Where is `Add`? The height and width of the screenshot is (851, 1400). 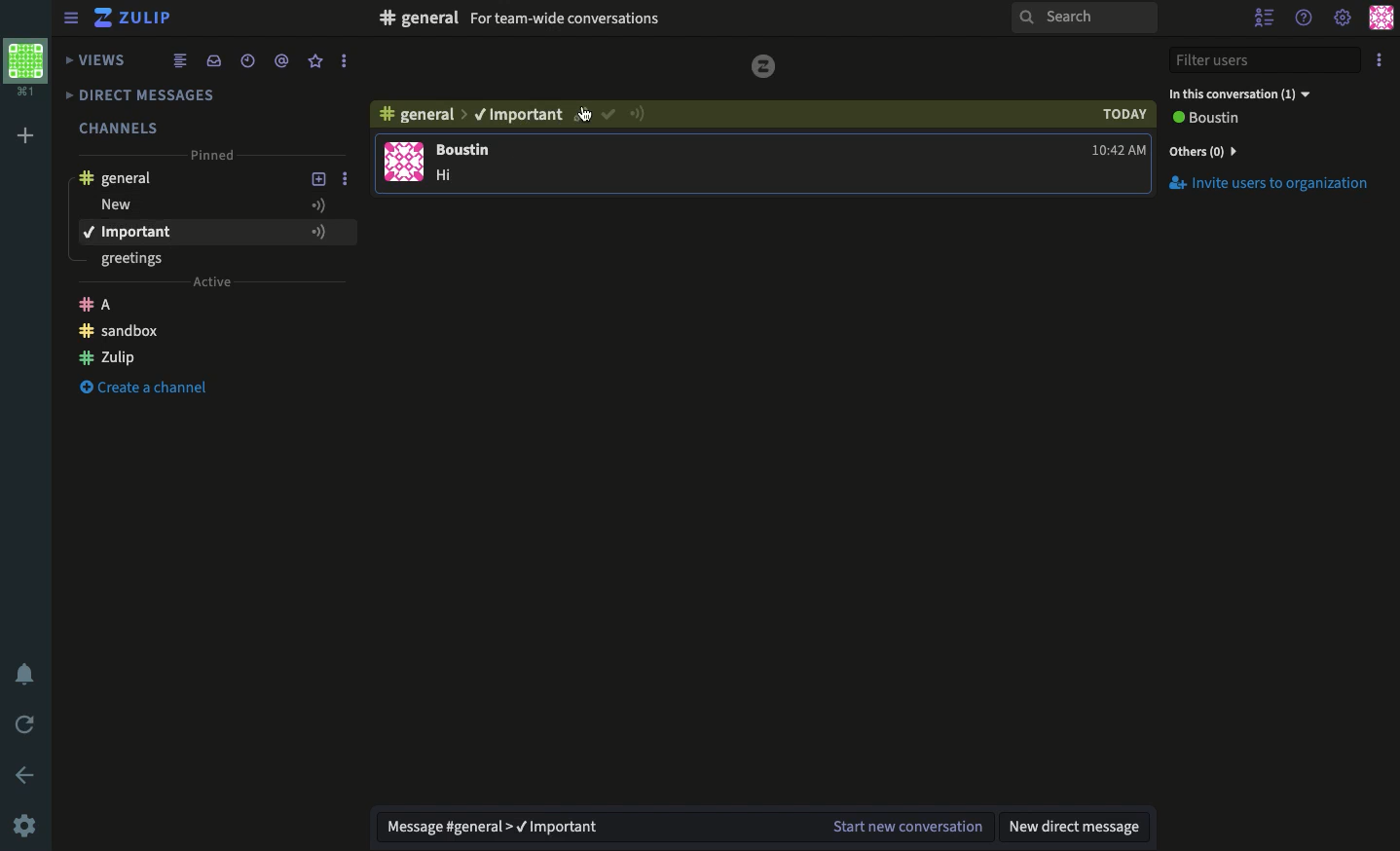
Add is located at coordinates (319, 179).